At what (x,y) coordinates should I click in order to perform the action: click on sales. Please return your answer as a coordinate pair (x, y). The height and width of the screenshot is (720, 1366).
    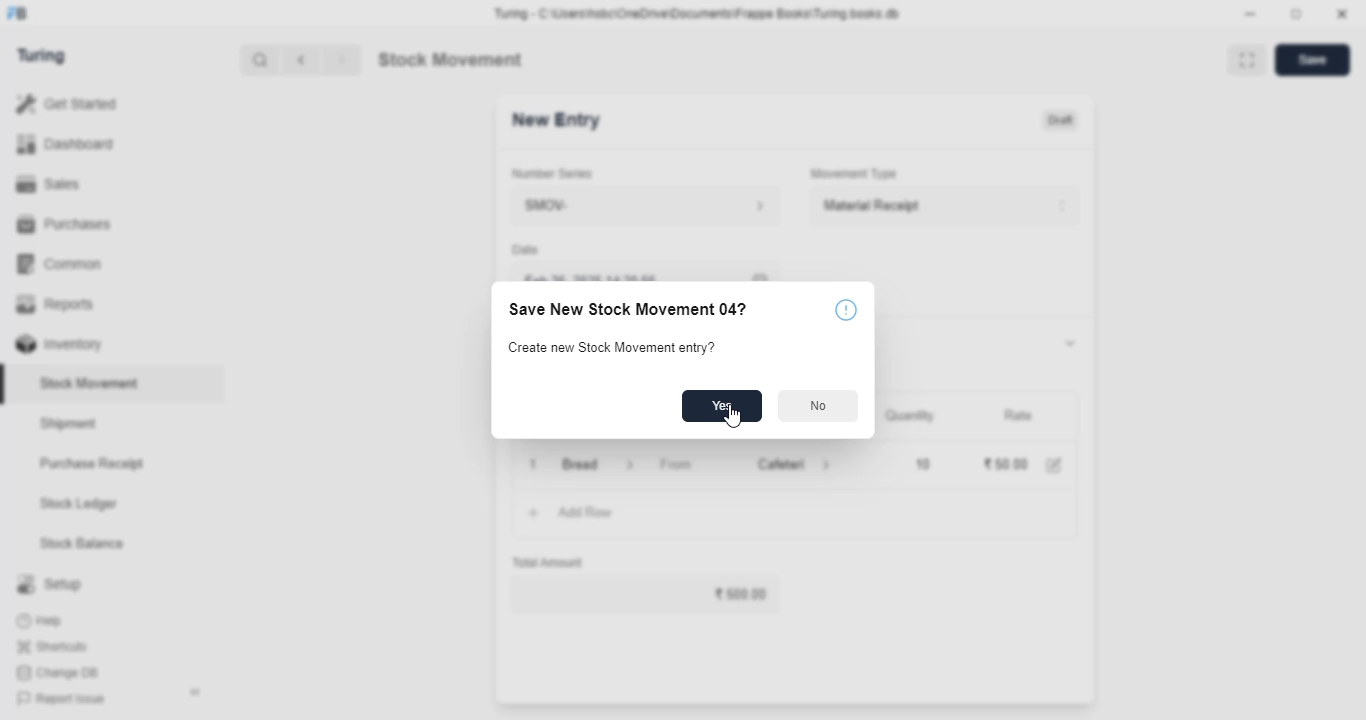
    Looking at the image, I should click on (48, 184).